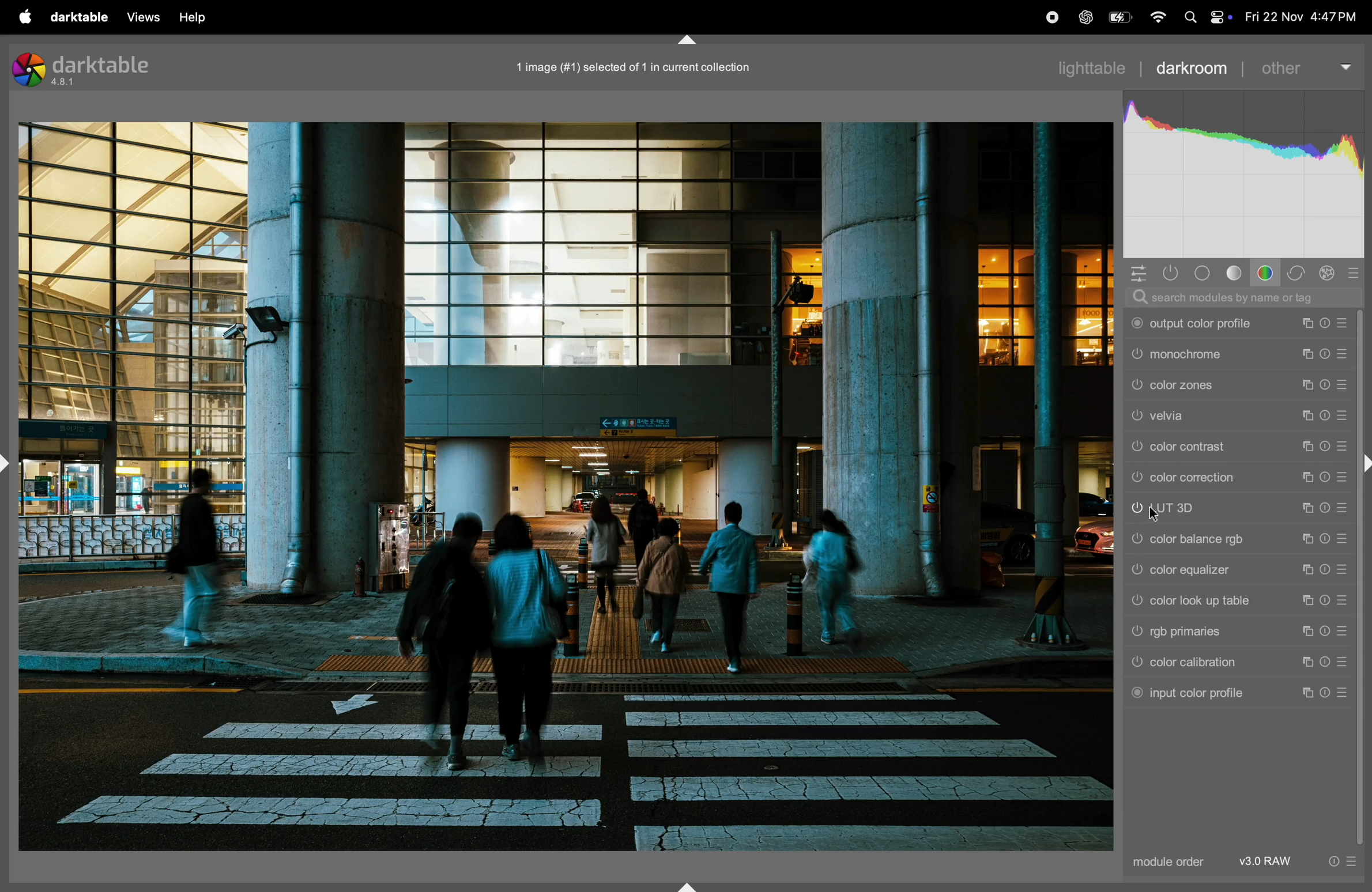 The width and height of the screenshot is (1372, 892). I want to click on presets, so click(1356, 273).